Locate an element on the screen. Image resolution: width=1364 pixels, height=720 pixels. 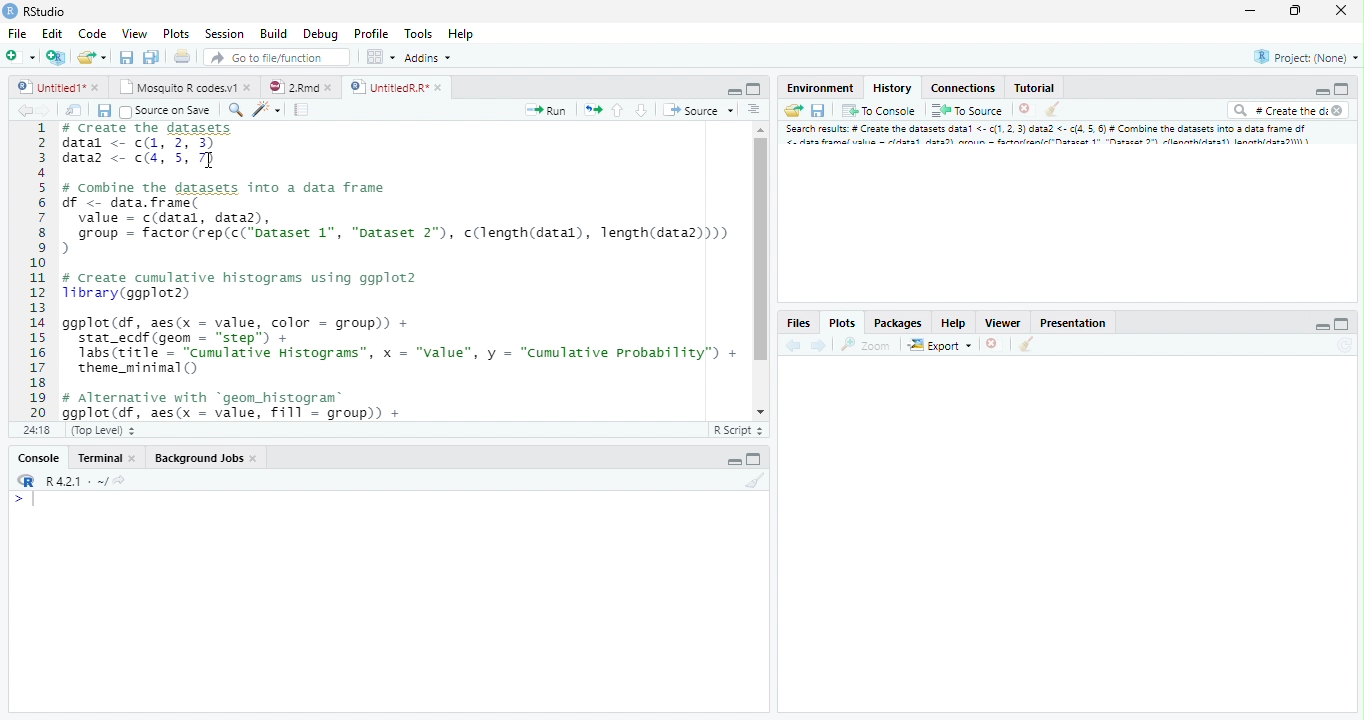
Connections is located at coordinates (964, 88).